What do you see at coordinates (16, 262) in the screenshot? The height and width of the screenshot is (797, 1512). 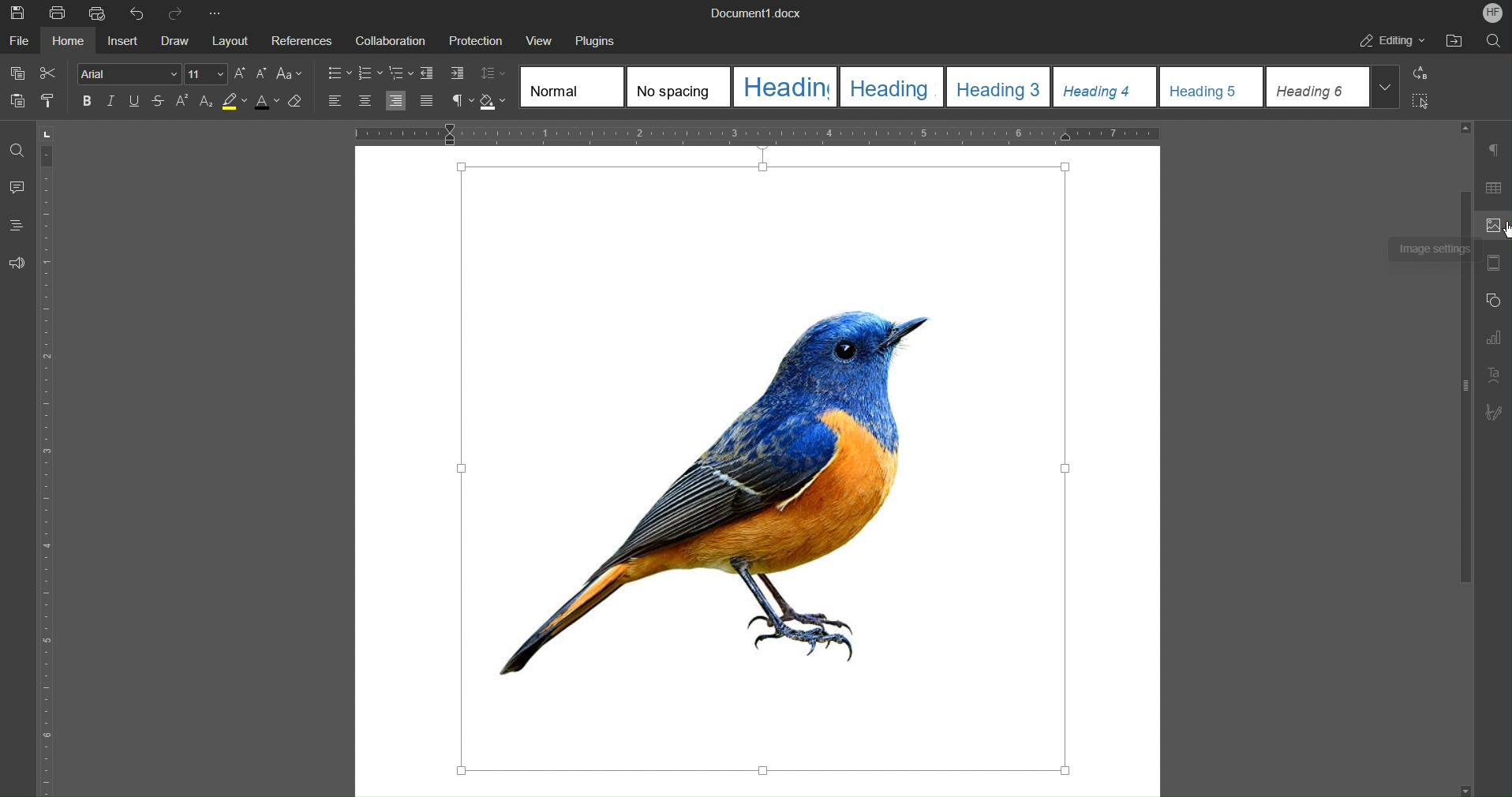 I see `Feedback and Support` at bounding box center [16, 262].